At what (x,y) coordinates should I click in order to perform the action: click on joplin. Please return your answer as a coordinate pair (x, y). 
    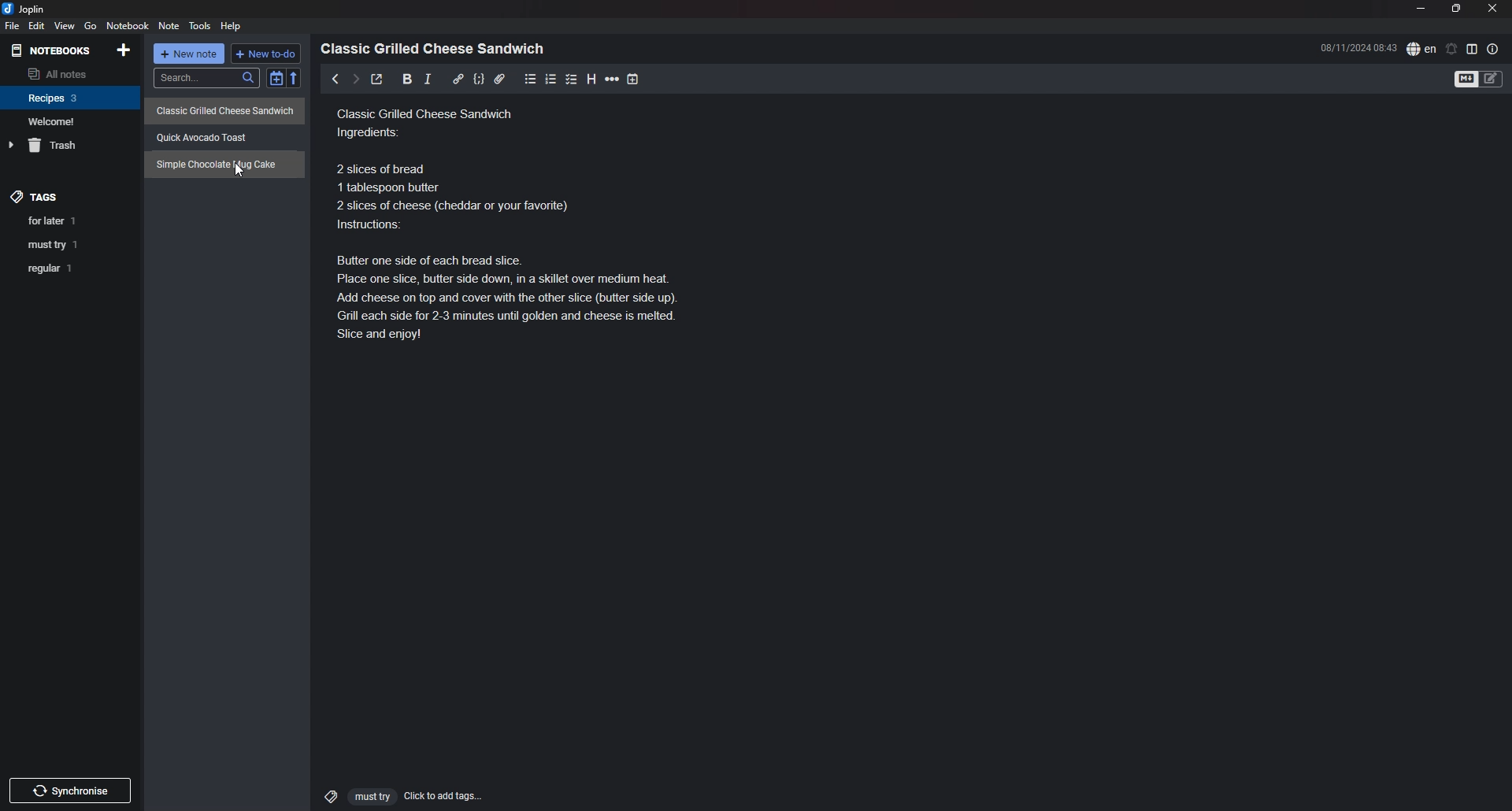
    Looking at the image, I should click on (26, 9).